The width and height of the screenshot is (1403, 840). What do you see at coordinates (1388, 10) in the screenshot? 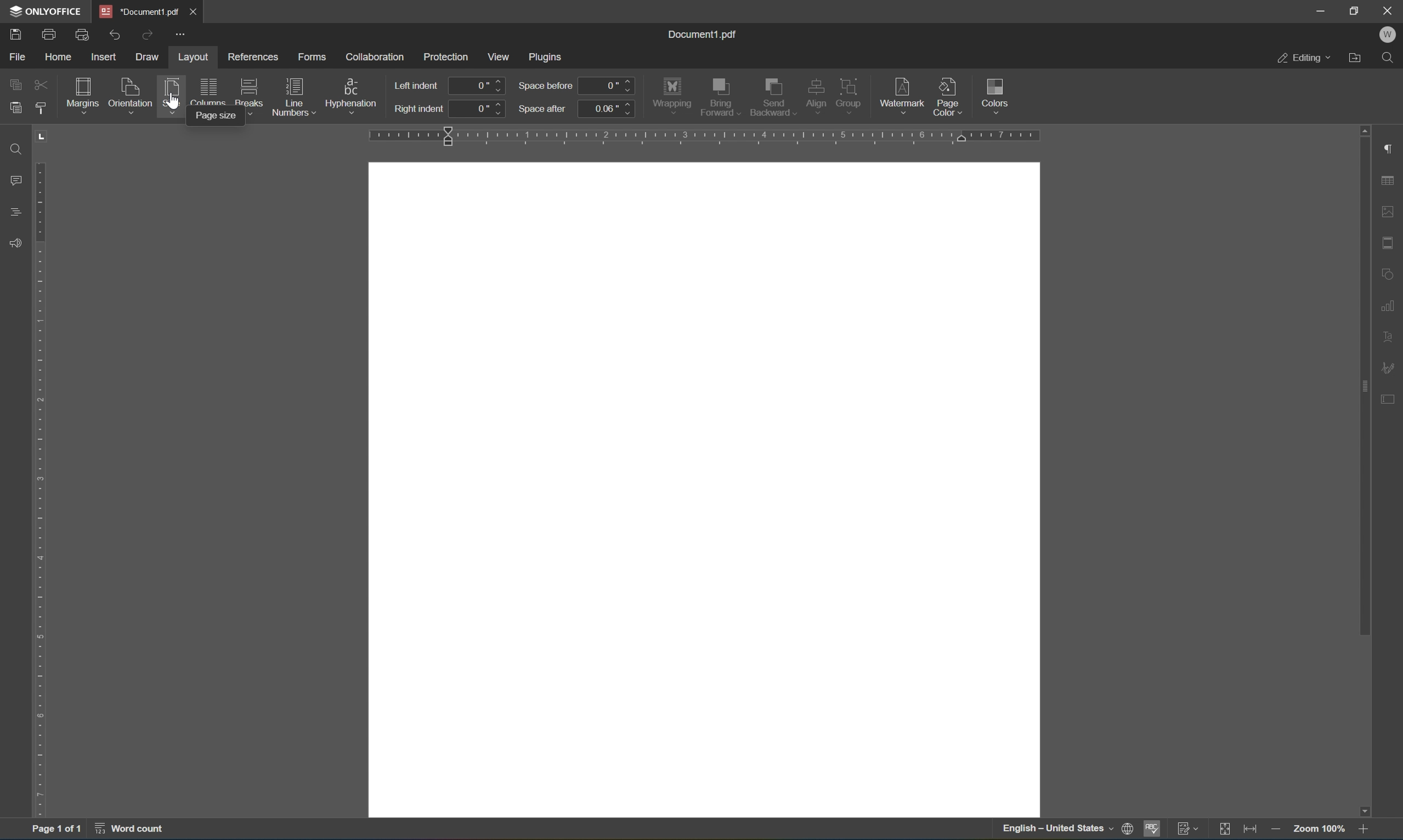
I see `close` at bounding box center [1388, 10].